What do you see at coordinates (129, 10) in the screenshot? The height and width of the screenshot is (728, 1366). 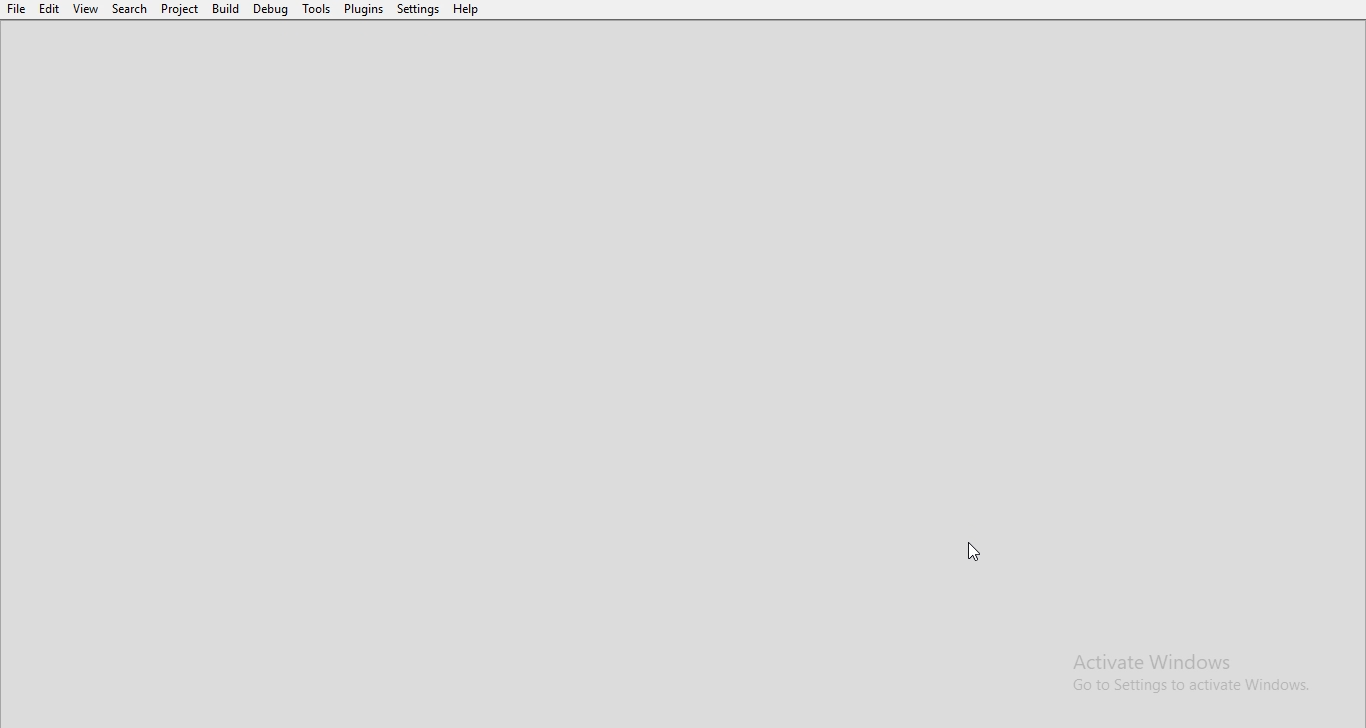 I see `Search ` at bounding box center [129, 10].